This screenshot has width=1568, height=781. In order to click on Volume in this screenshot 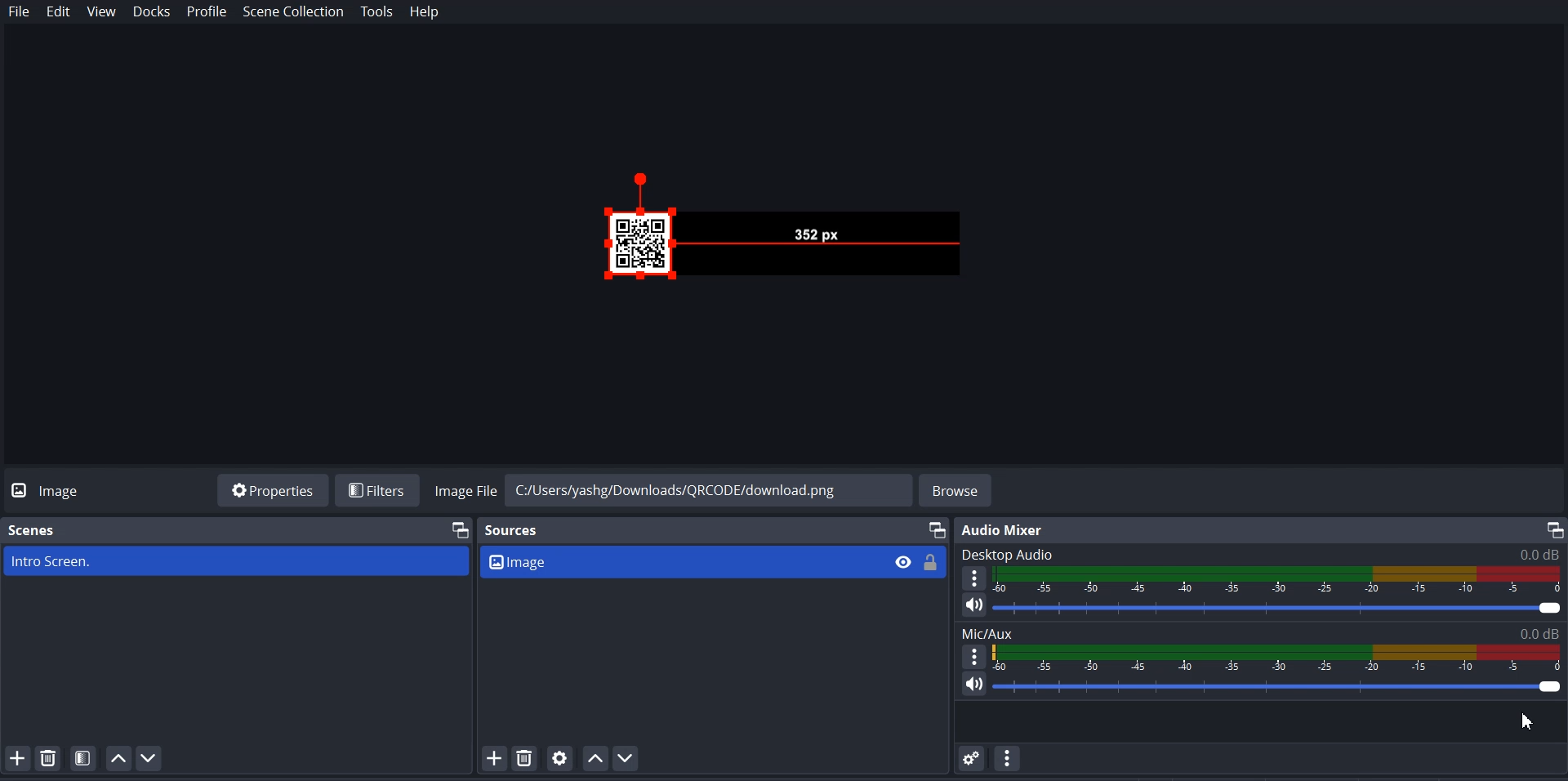, I will do `click(968, 605)`.